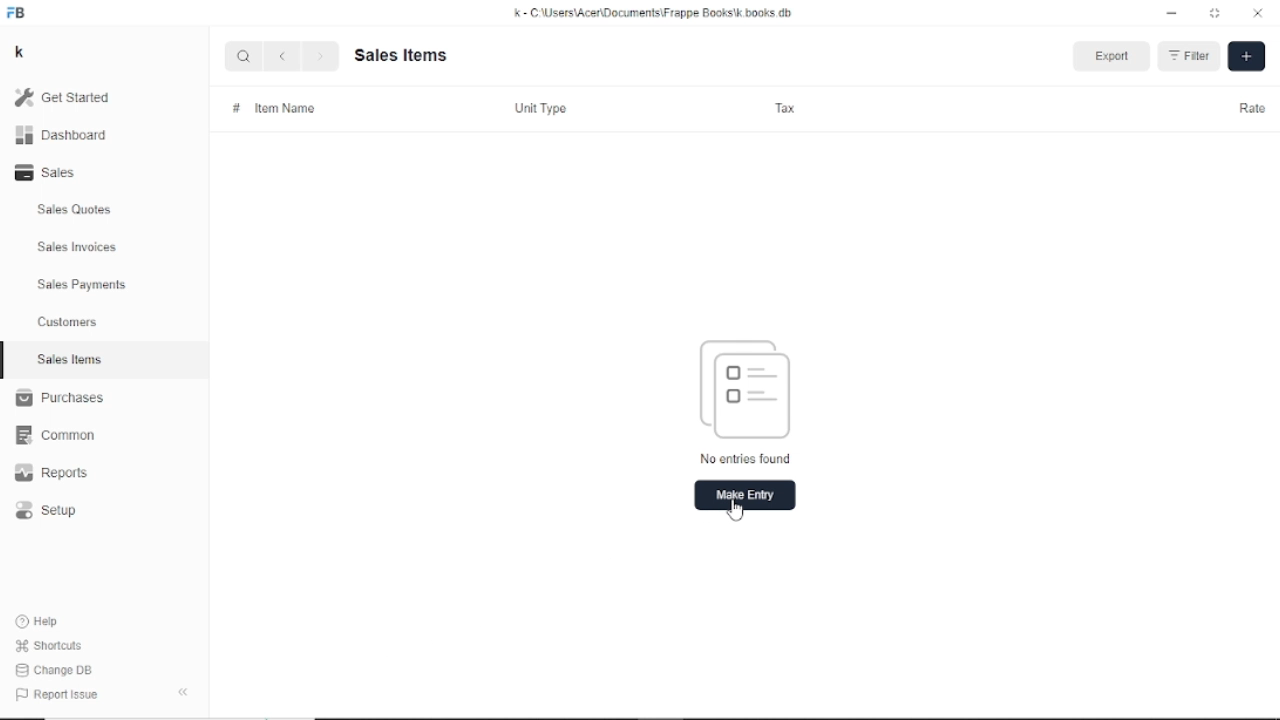 The image size is (1280, 720). What do you see at coordinates (22, 53) in the screenshot?
I see `k` at bounding box center [22, 53].